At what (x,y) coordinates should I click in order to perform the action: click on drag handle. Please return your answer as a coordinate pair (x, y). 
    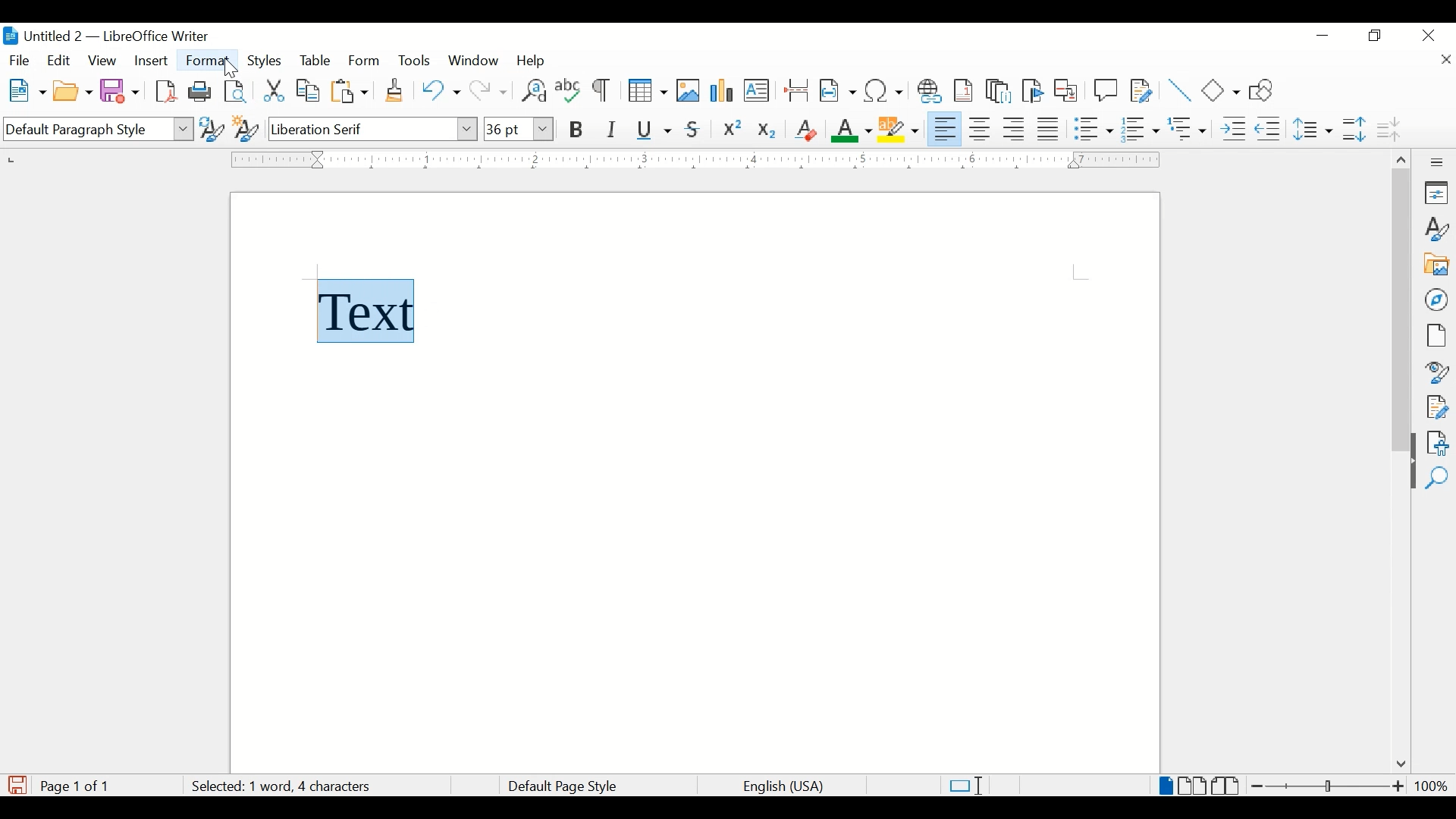
    Looking at the image, I should click on (1407, 475).